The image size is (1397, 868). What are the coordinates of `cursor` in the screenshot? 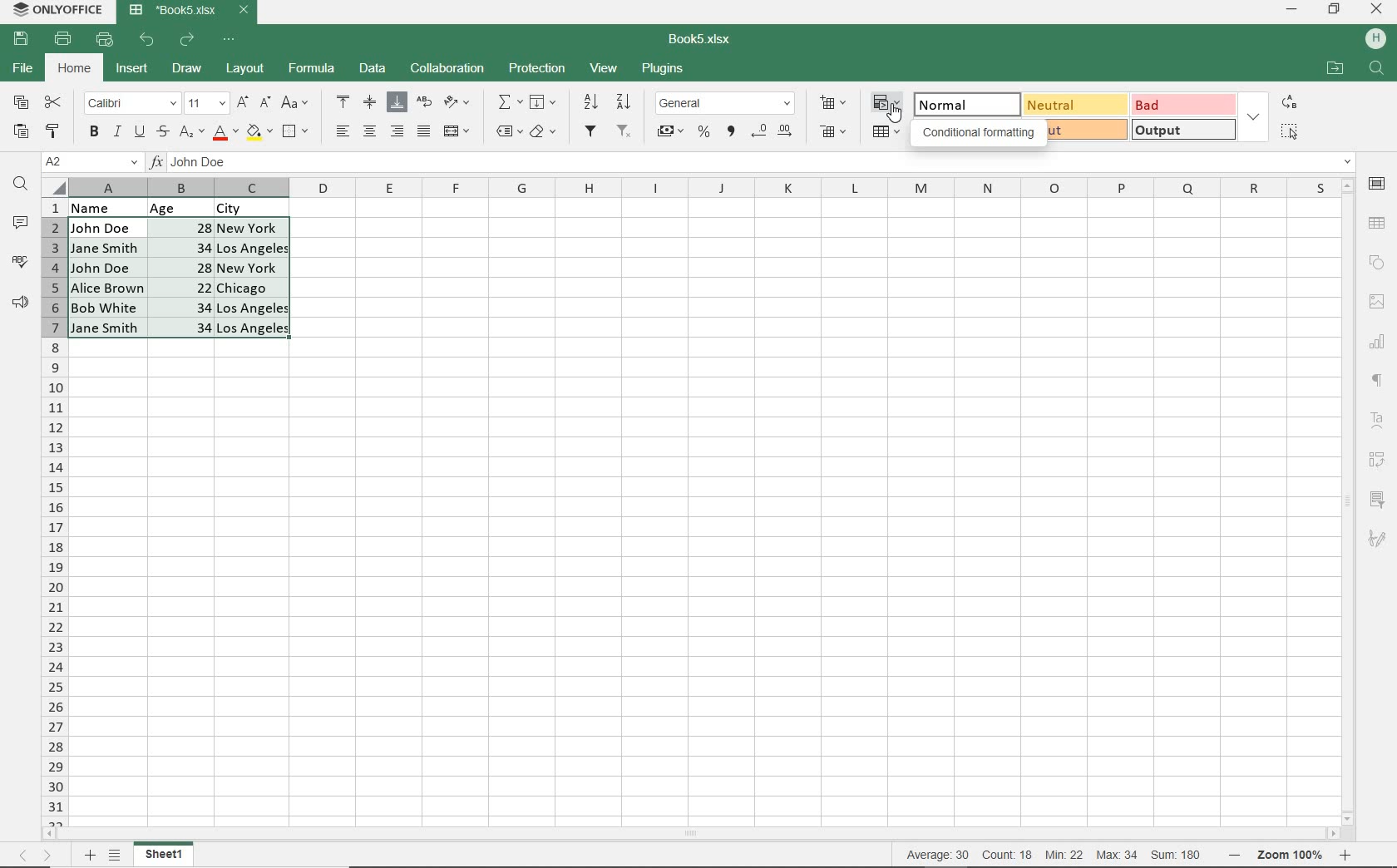 It's located at (894, 112).